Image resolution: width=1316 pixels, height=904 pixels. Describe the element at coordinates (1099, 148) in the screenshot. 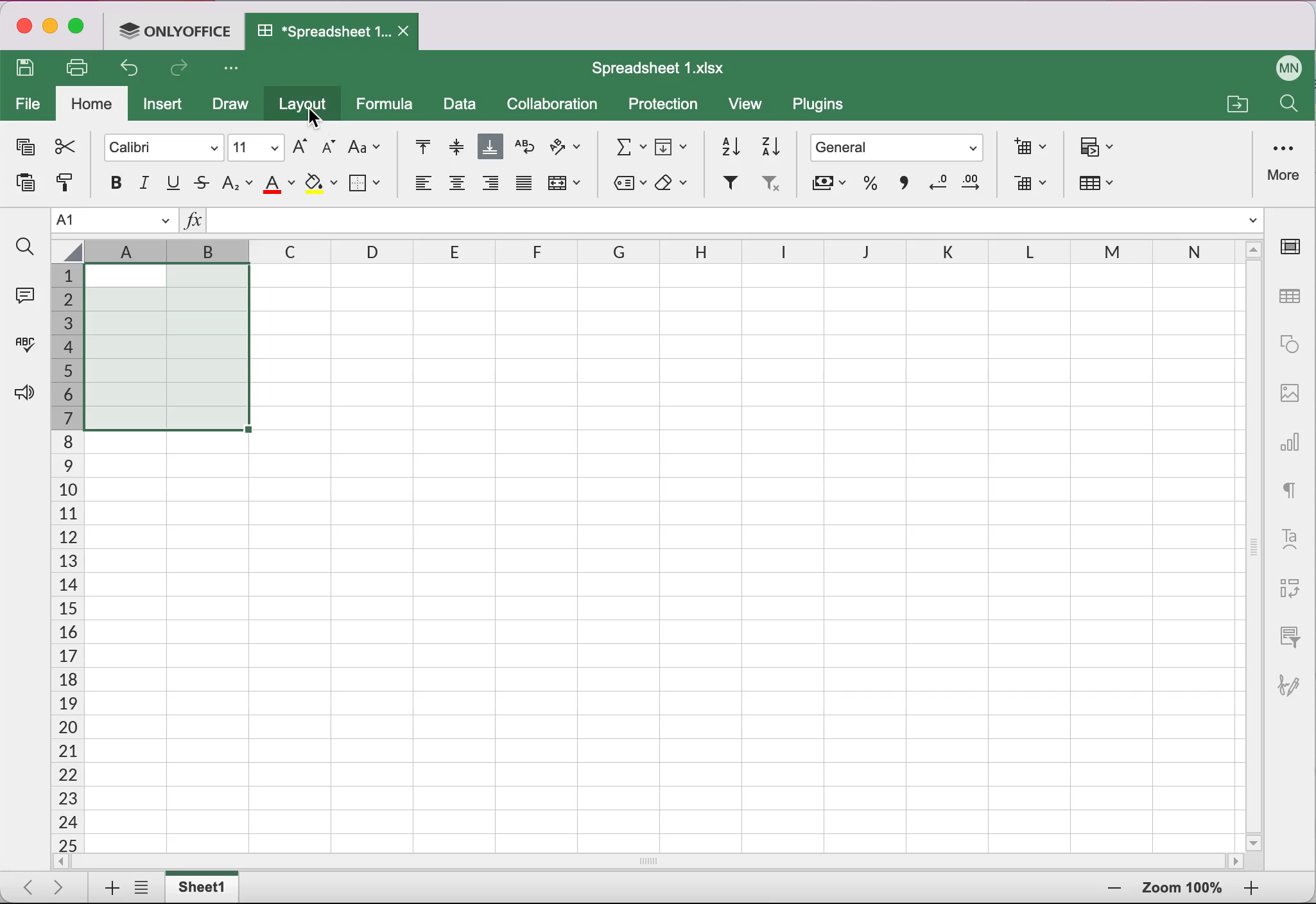

I see `conditional formatting` at that location.